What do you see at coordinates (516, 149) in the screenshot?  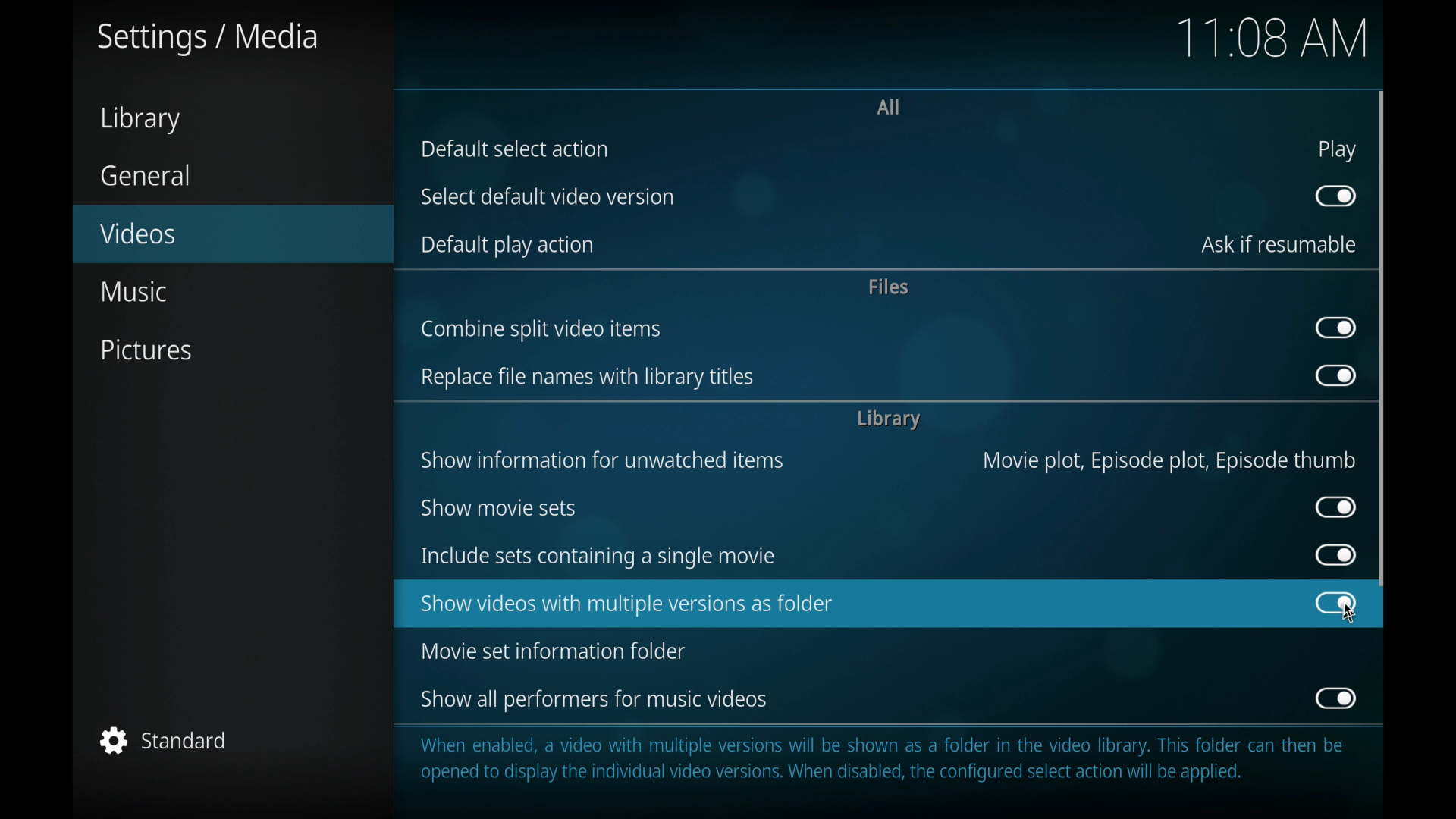 I see `default select action` at bounding box center [516, 149].